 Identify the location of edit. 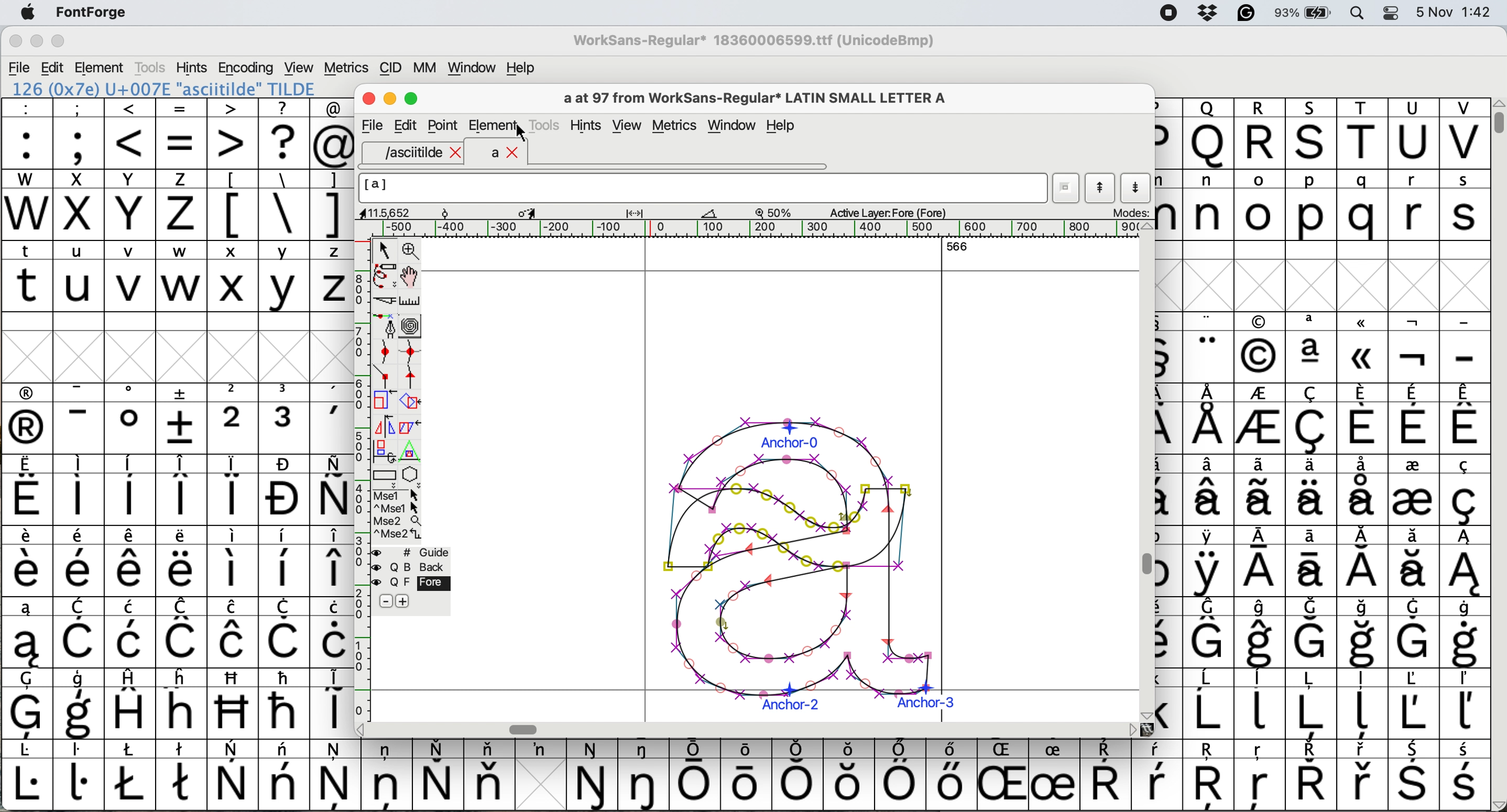
(54, 68).